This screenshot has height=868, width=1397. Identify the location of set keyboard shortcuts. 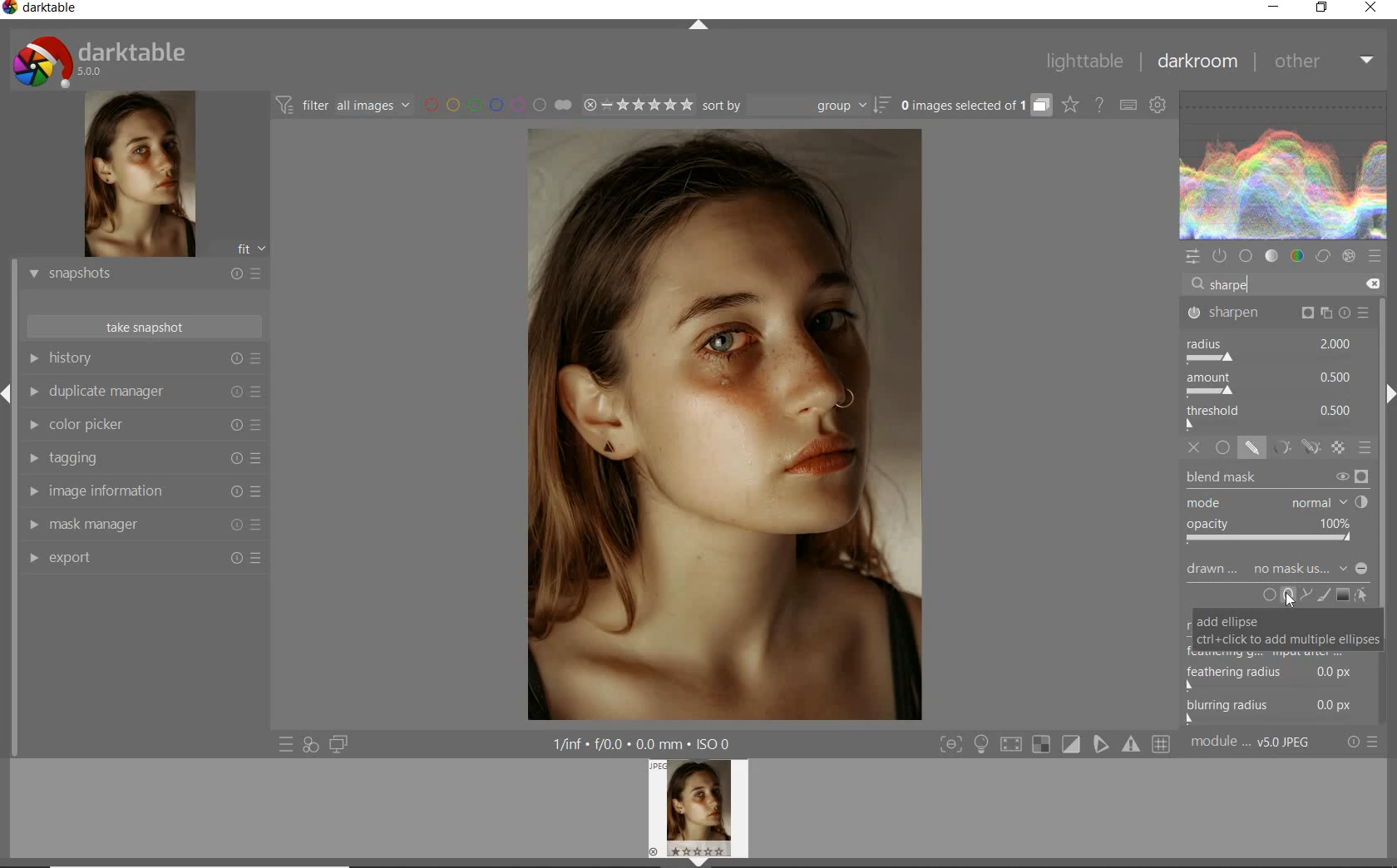
(1128, 106).